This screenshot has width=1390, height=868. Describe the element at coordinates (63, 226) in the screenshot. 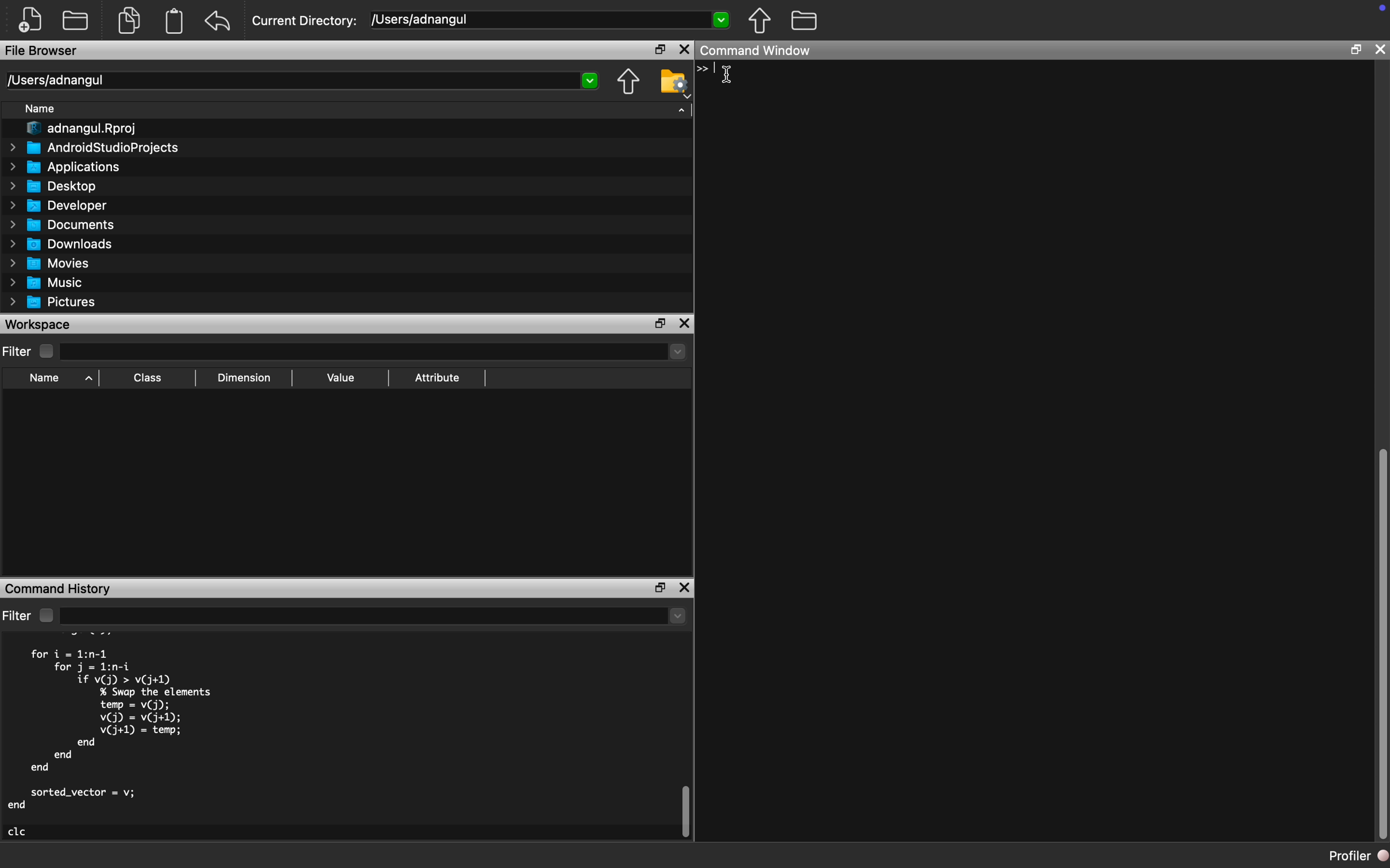

I see `Documents` at that location.